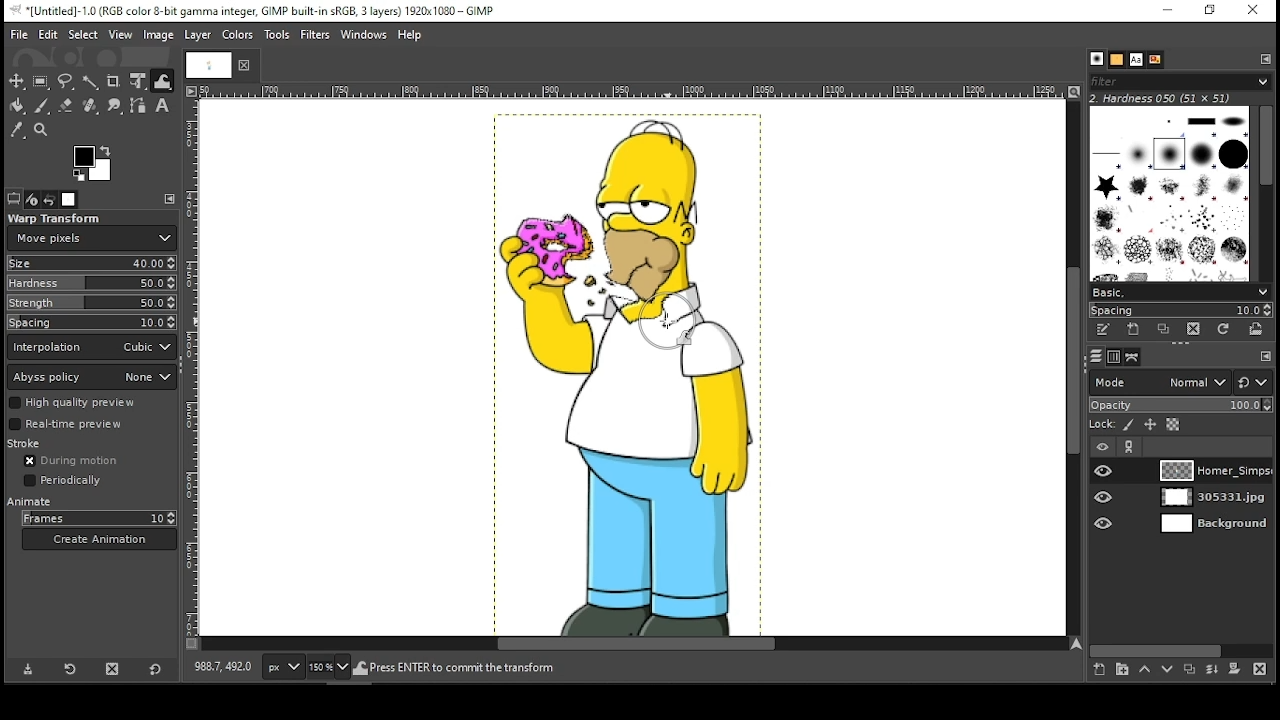 This screenshot has height=720, width=1280. I want to click on icon and filename, so click(257, 10).